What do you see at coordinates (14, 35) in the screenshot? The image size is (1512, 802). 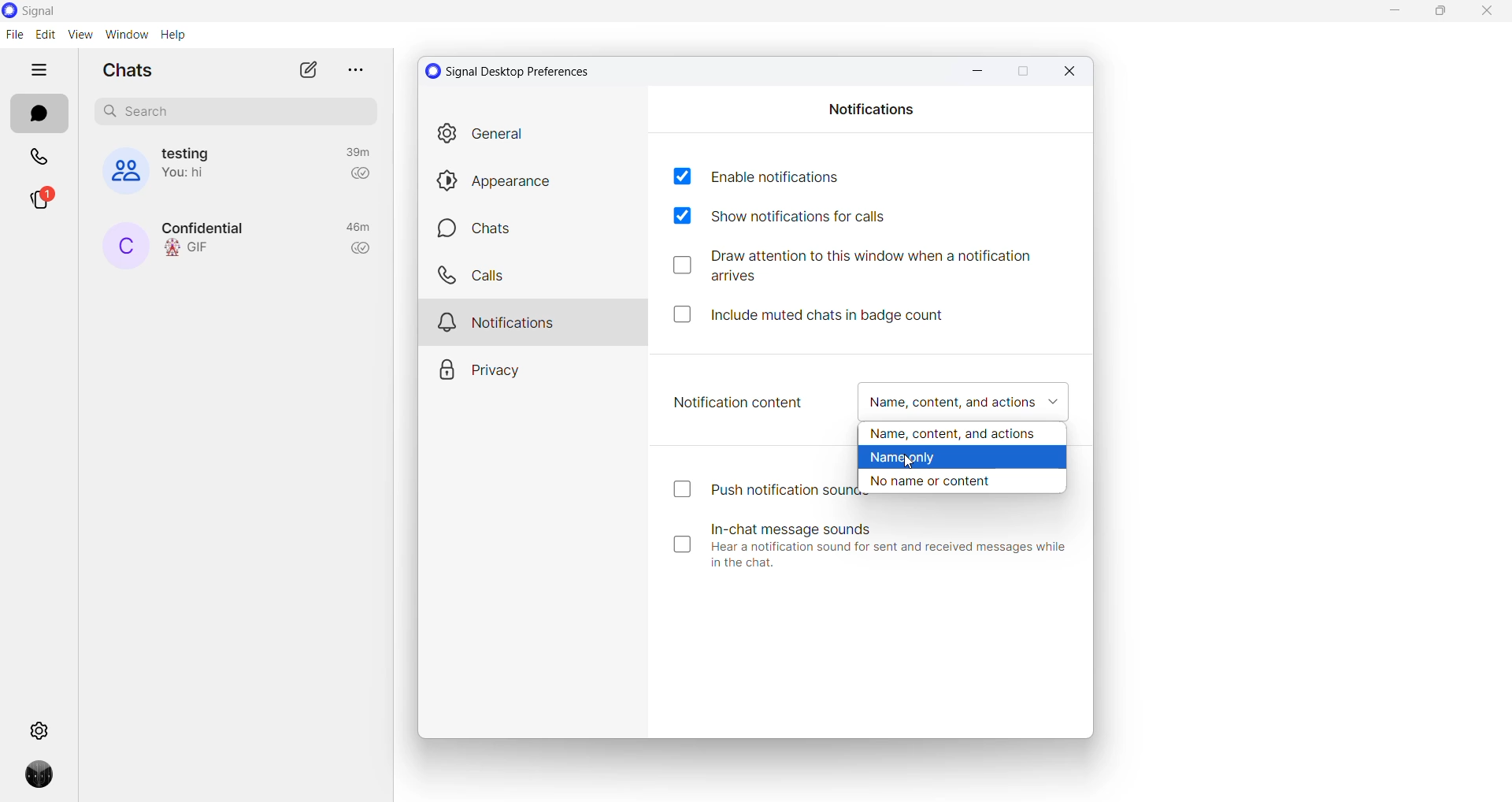 I see `file` at bounding box center [14, 35].